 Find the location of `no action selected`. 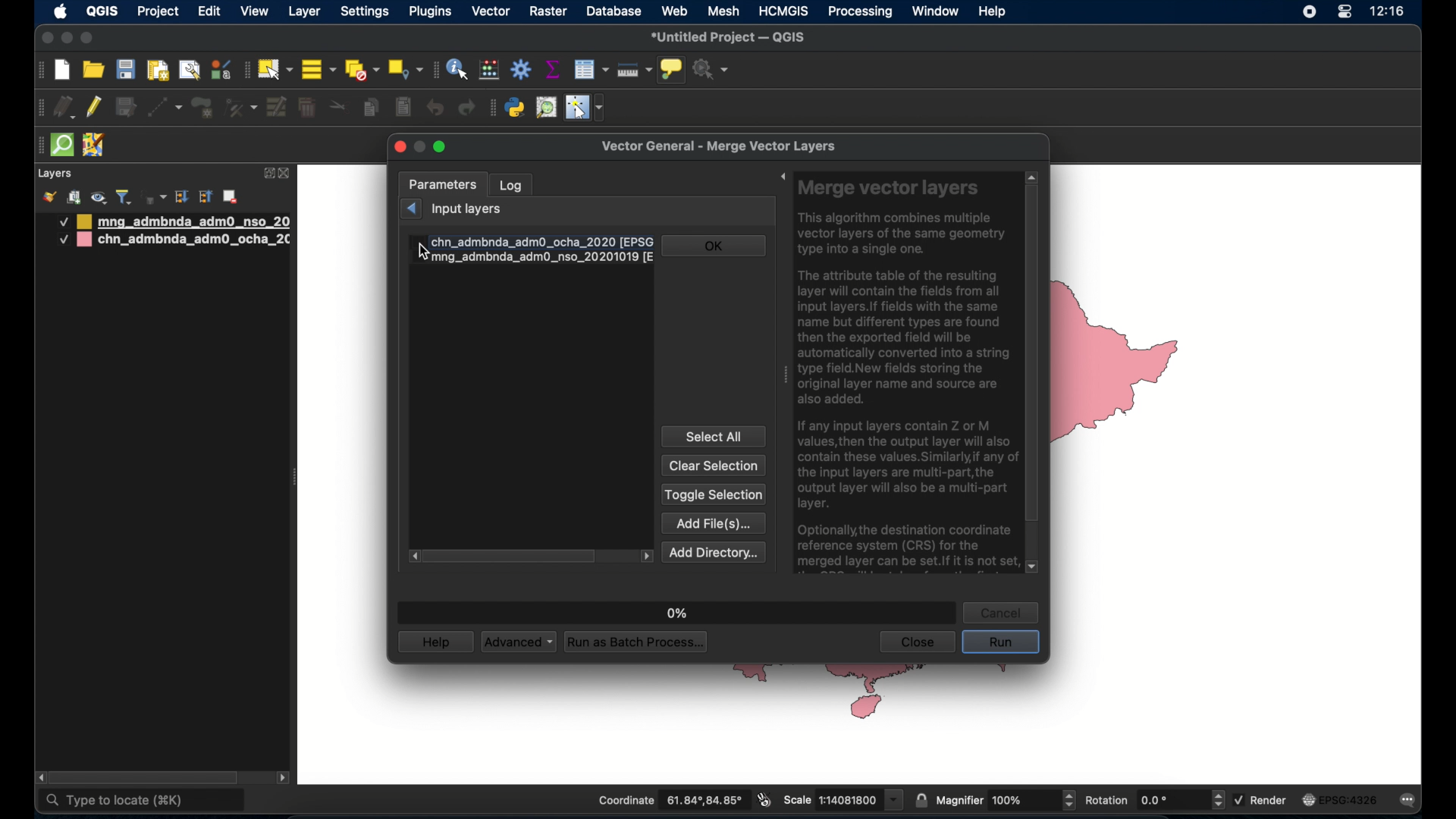

no action selected is located at coordinates (711, 70).